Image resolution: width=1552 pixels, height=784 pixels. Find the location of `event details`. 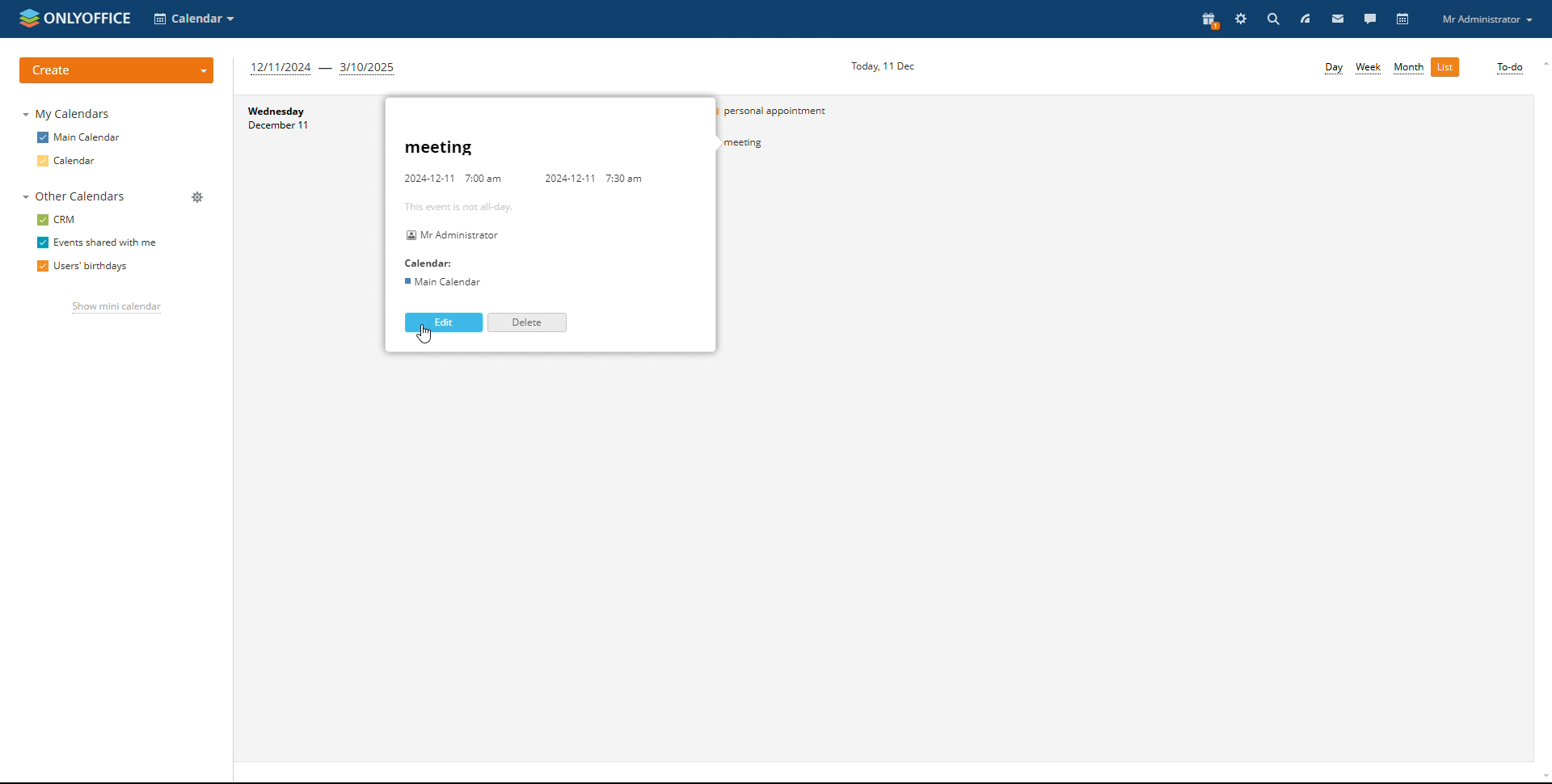

event details is located at coordinates (535, 217).